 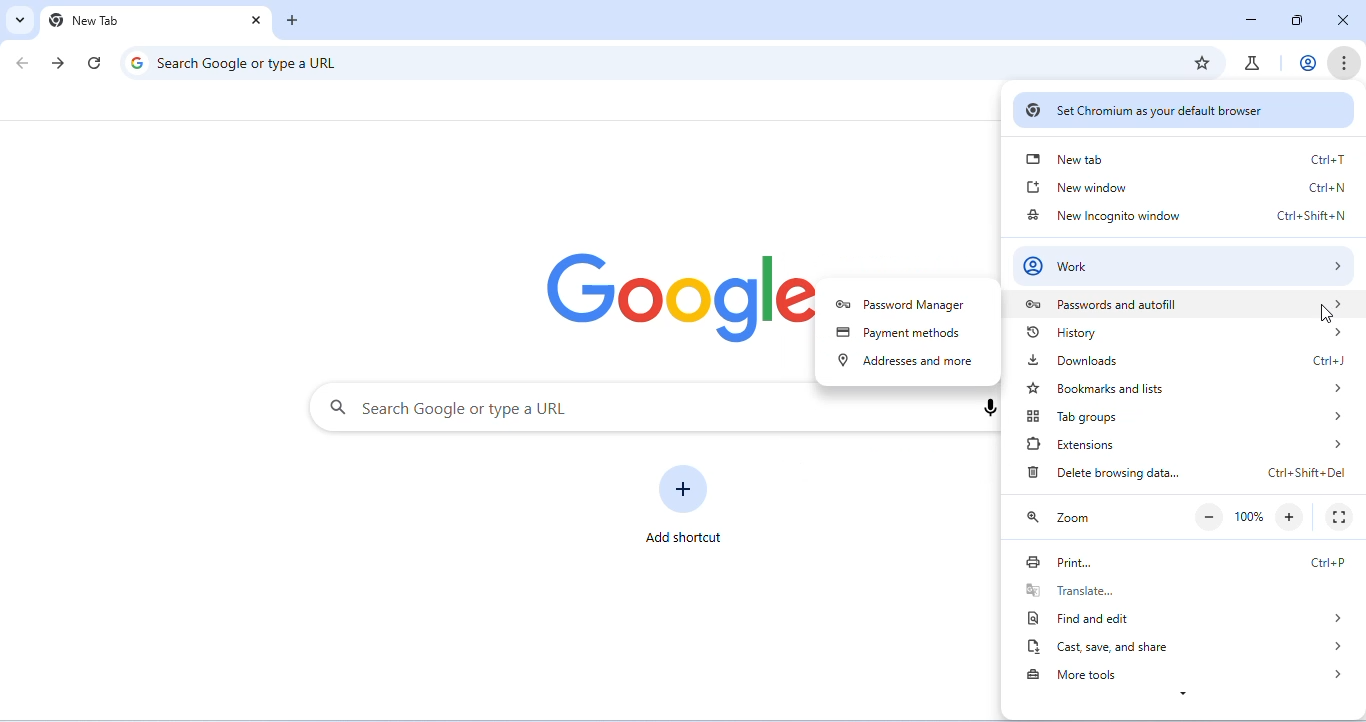 What do you see at coordinates (1183, 303) in the screenshot?
I see `passwords and autofill` at bounding box center [1183, 303].